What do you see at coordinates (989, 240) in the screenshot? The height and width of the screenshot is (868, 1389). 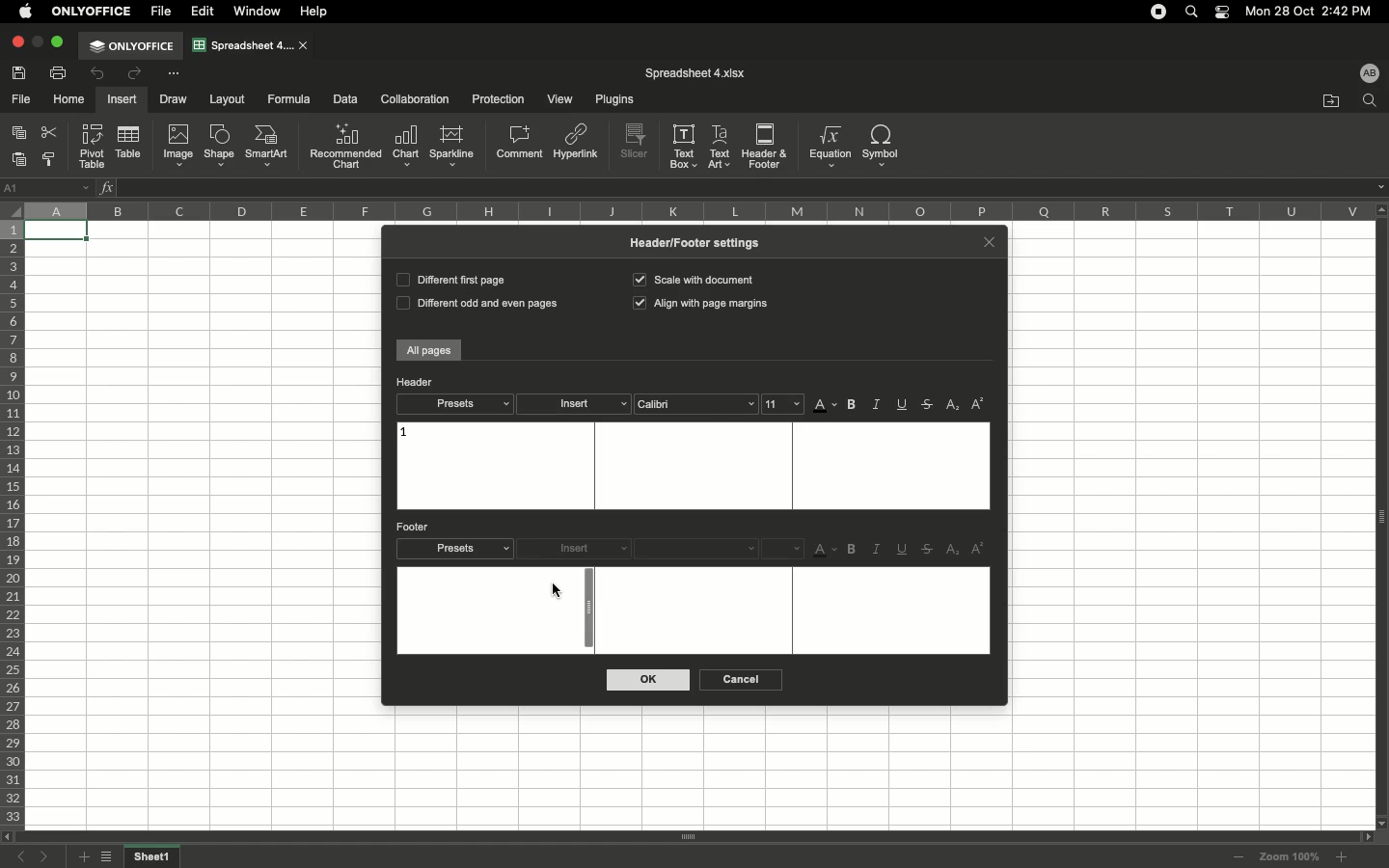 I see `Close` at bounding box center [989, 240].